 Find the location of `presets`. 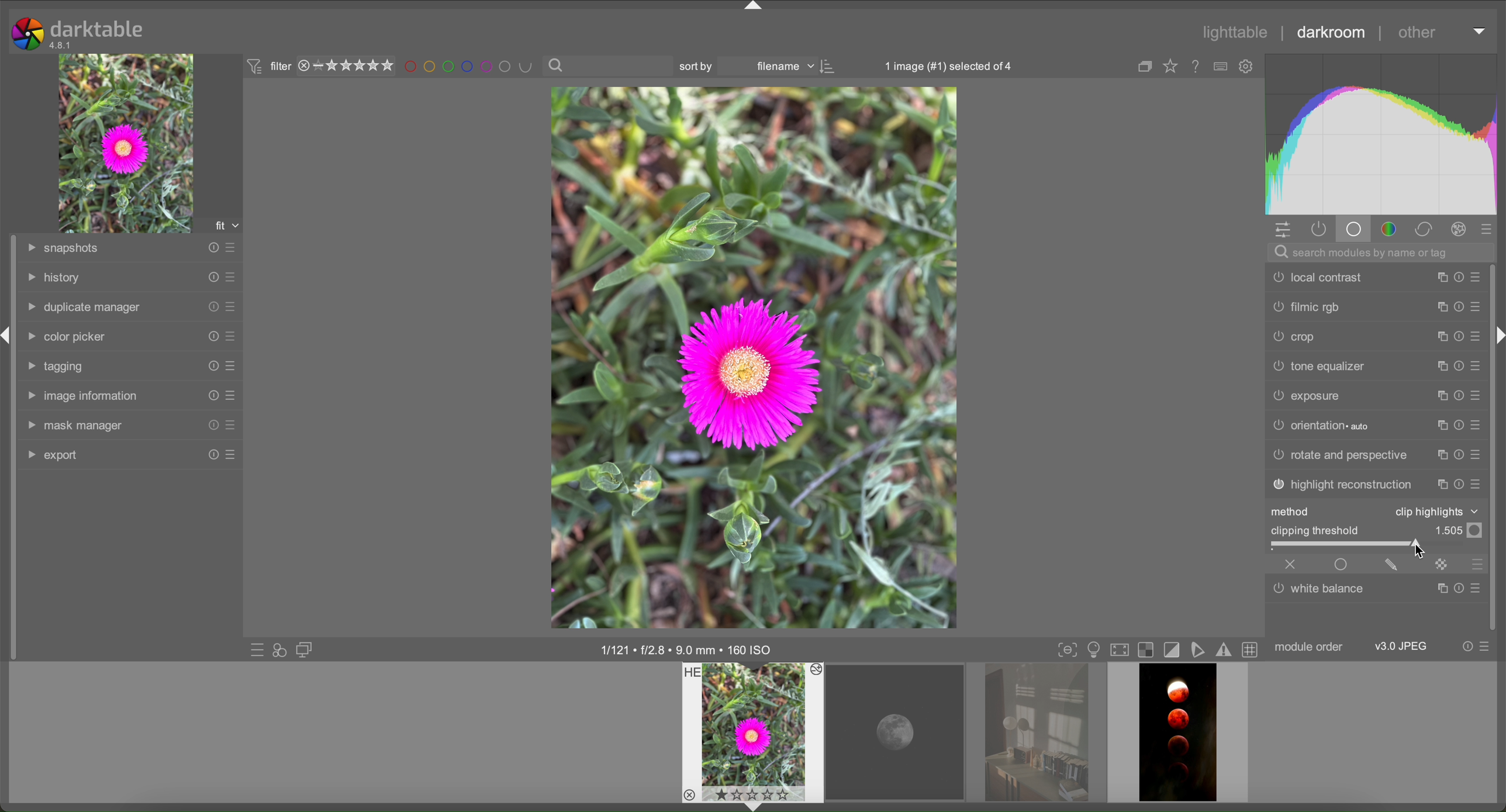

presets is located at coordinates (230, 335).